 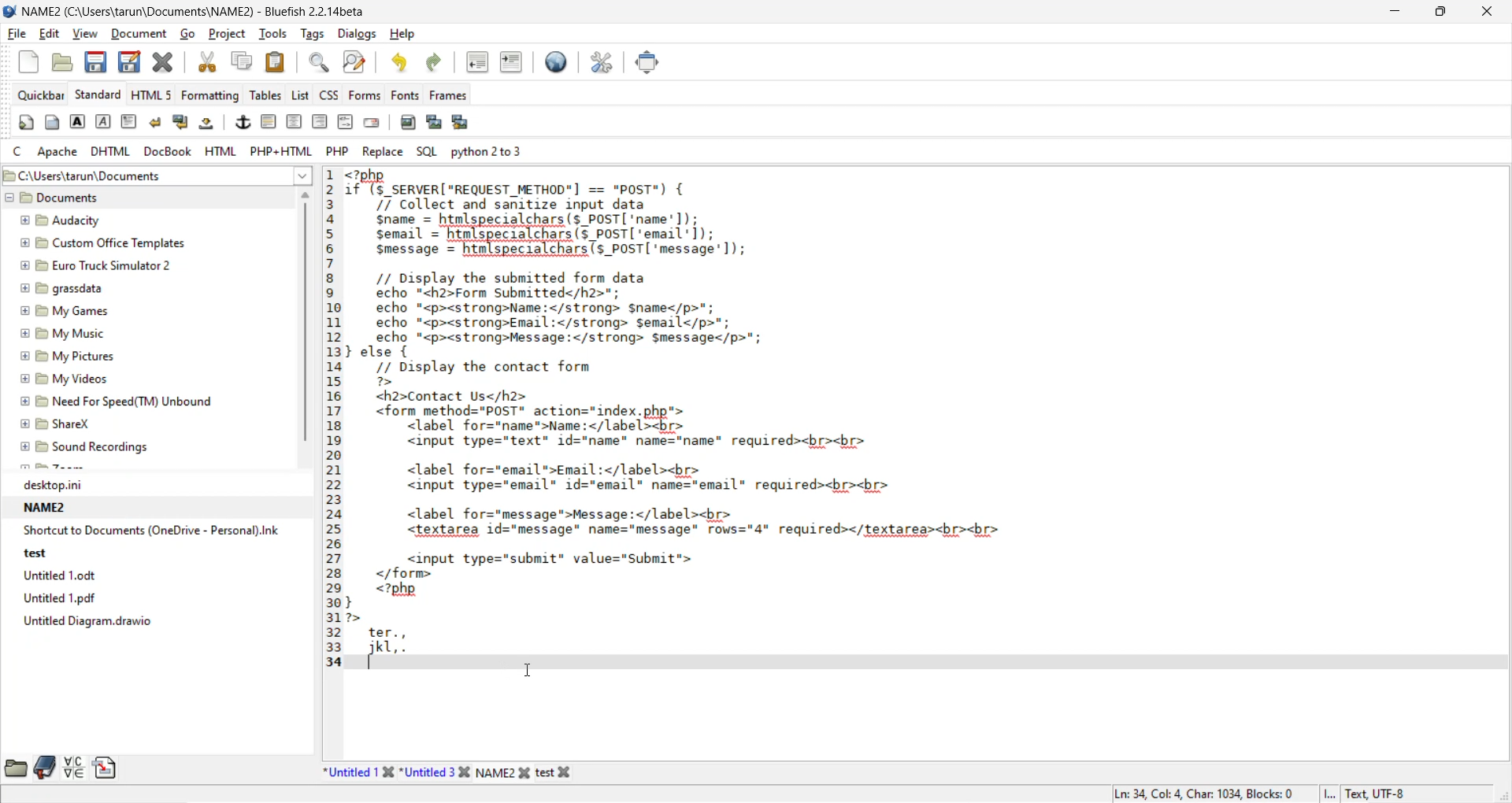 I want to click on paragraph, so click(x=132, y=124).